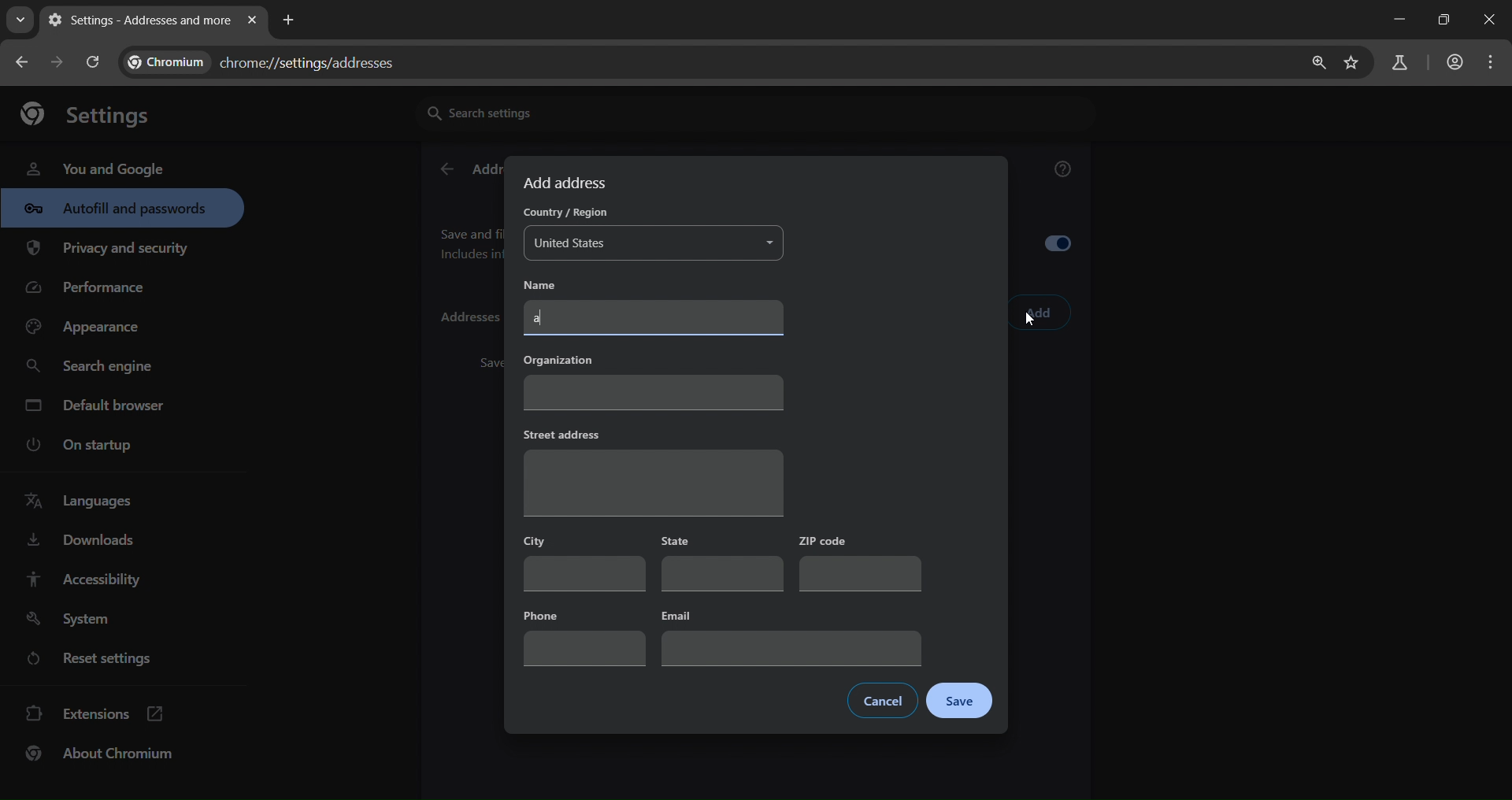 This screenshot has height=800, width=1512. I want to click on downloads, so click(80, 543).